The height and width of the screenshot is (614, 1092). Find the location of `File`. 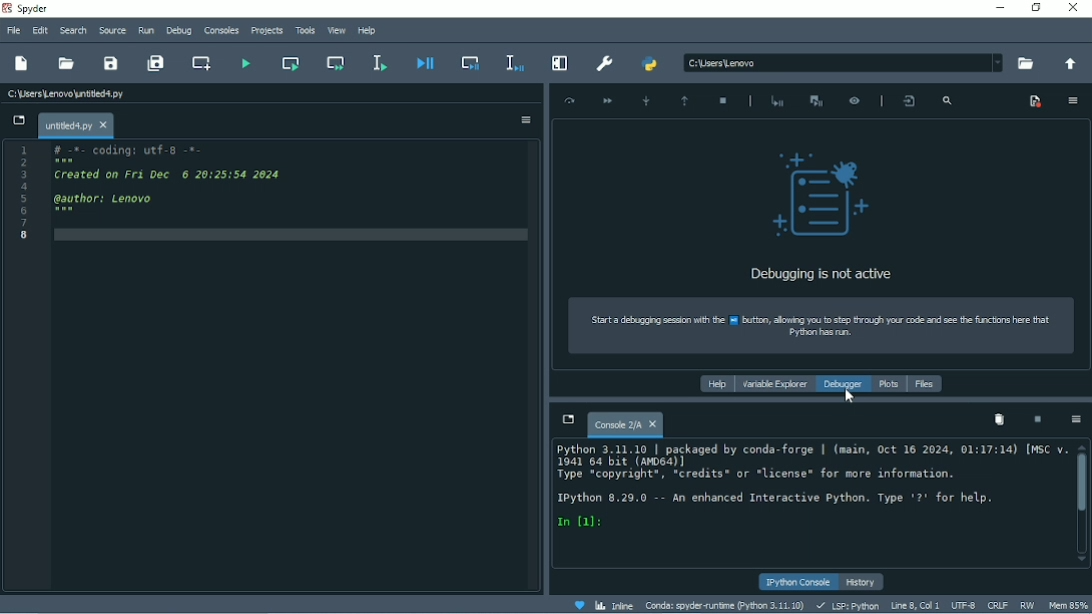

File is located at coordinates (13, 30).